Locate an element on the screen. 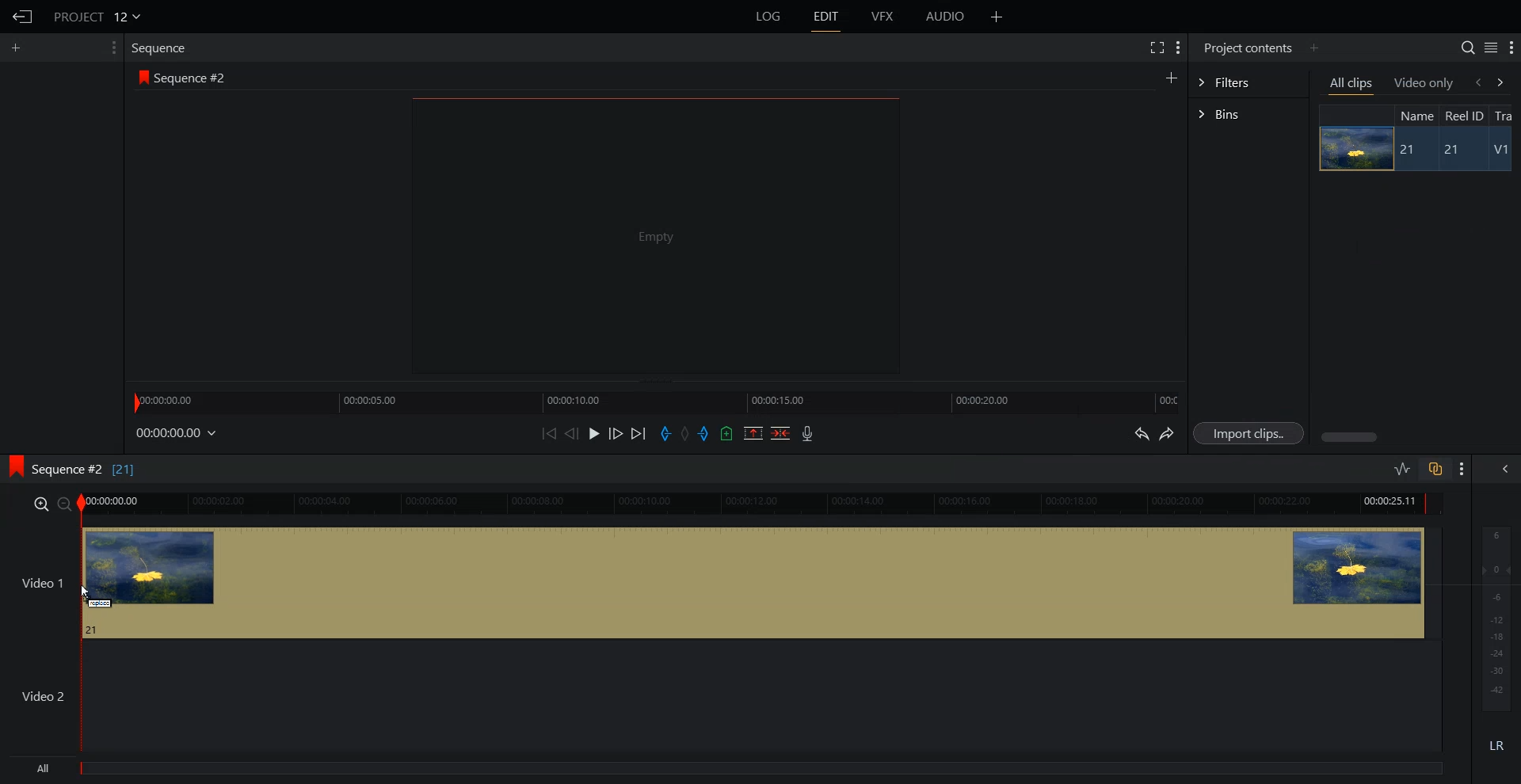 This screenshot has height=784, width=1521. Record Audio is located at coordinates (808, 433).